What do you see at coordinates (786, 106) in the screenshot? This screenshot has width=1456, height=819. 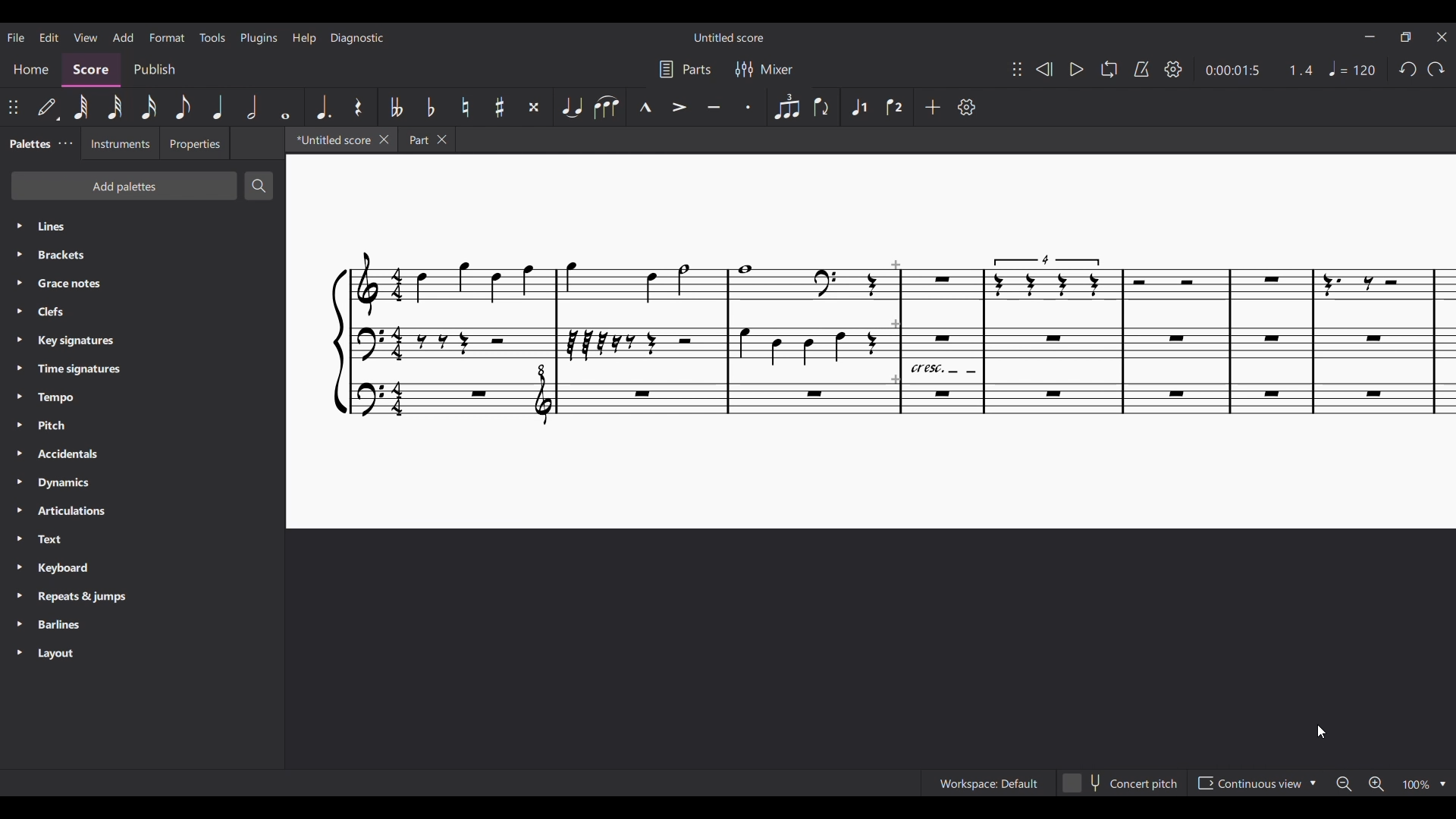 I see `Tuplet` at bounding box center [786, 106].